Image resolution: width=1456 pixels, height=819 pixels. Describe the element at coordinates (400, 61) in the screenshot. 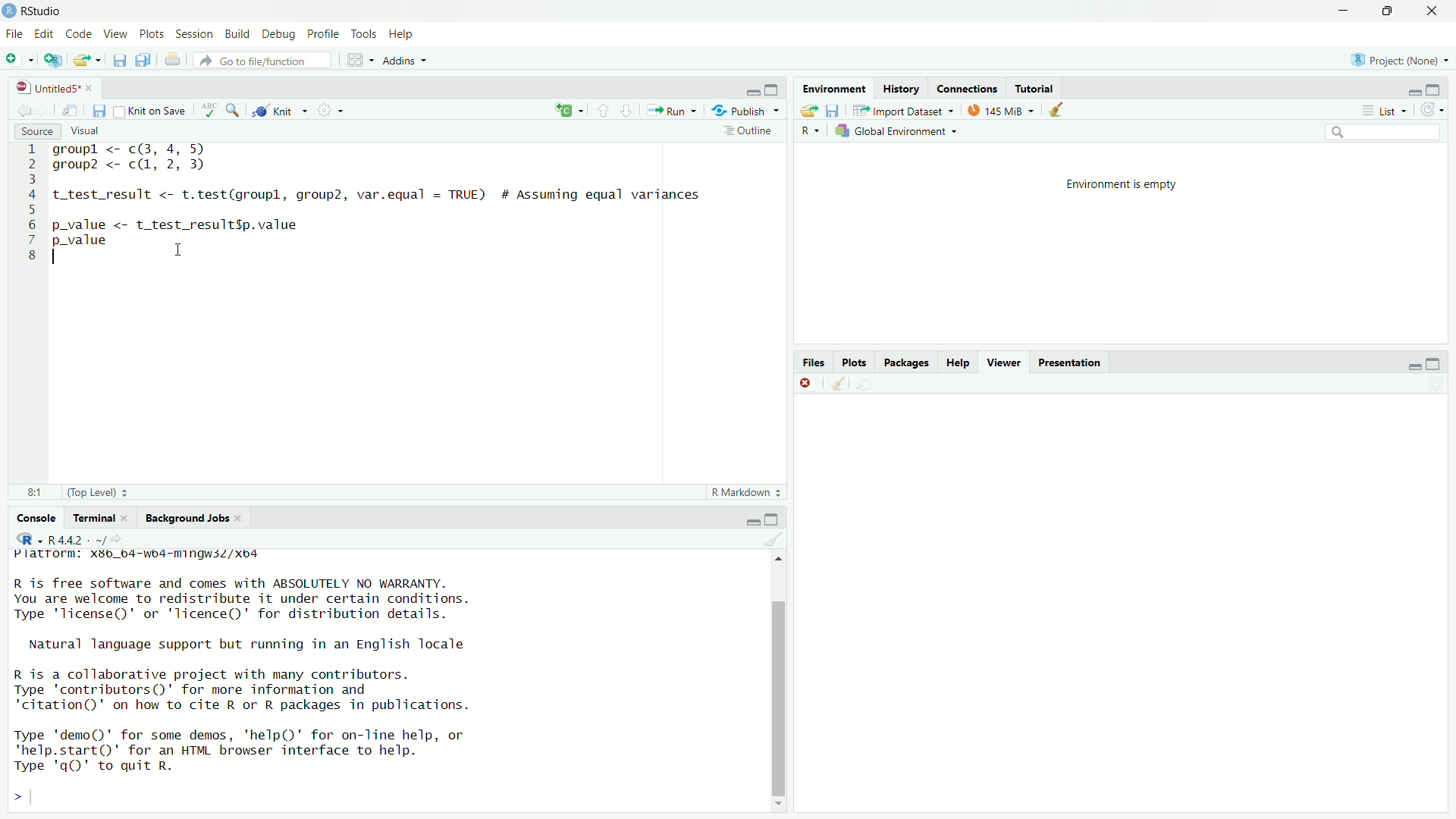

I see `Addins ` at that location.